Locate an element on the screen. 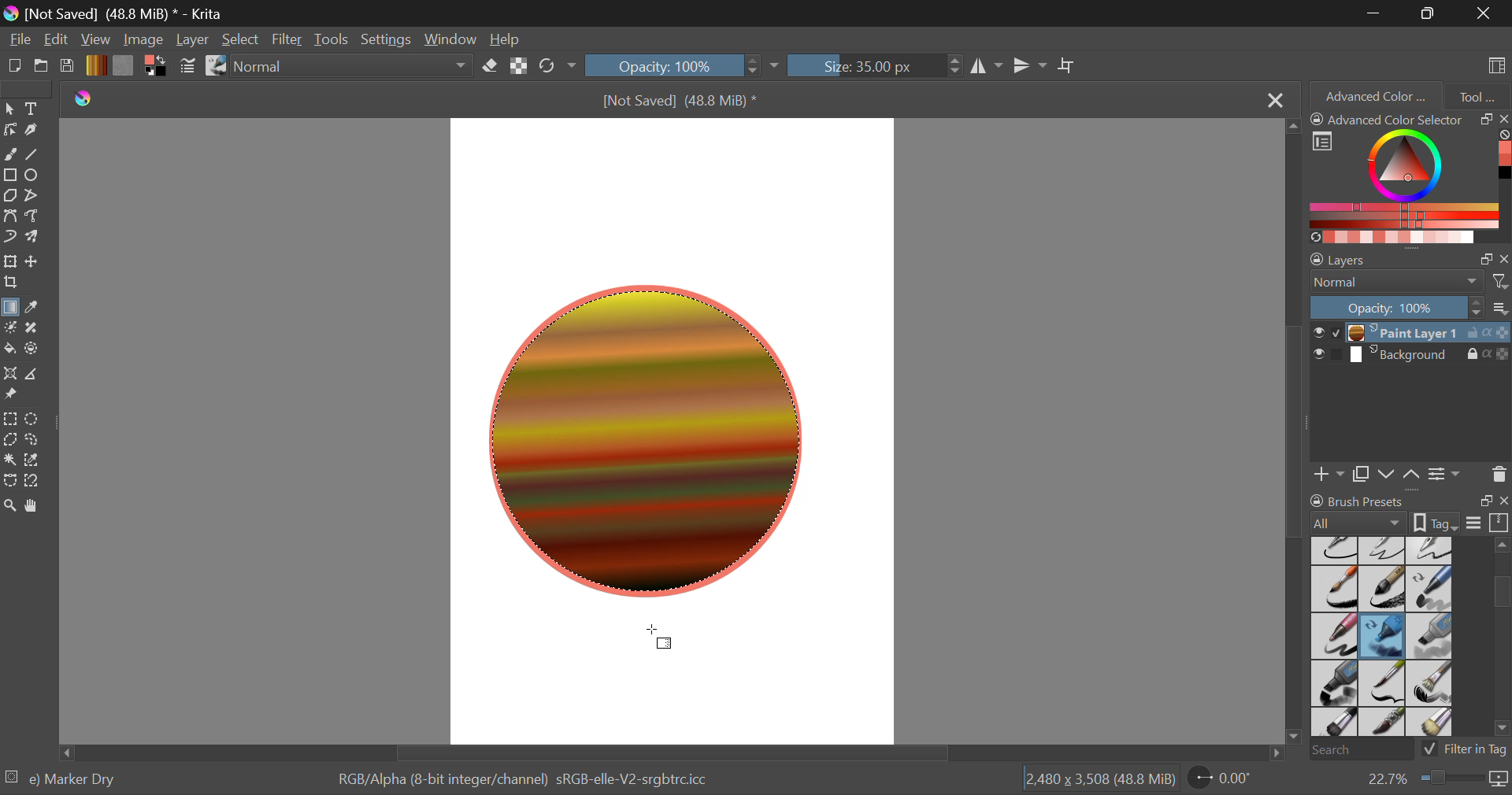 This screenshot has width=1512, height=795. Assistant Tool is located at coordinates (11, 375).